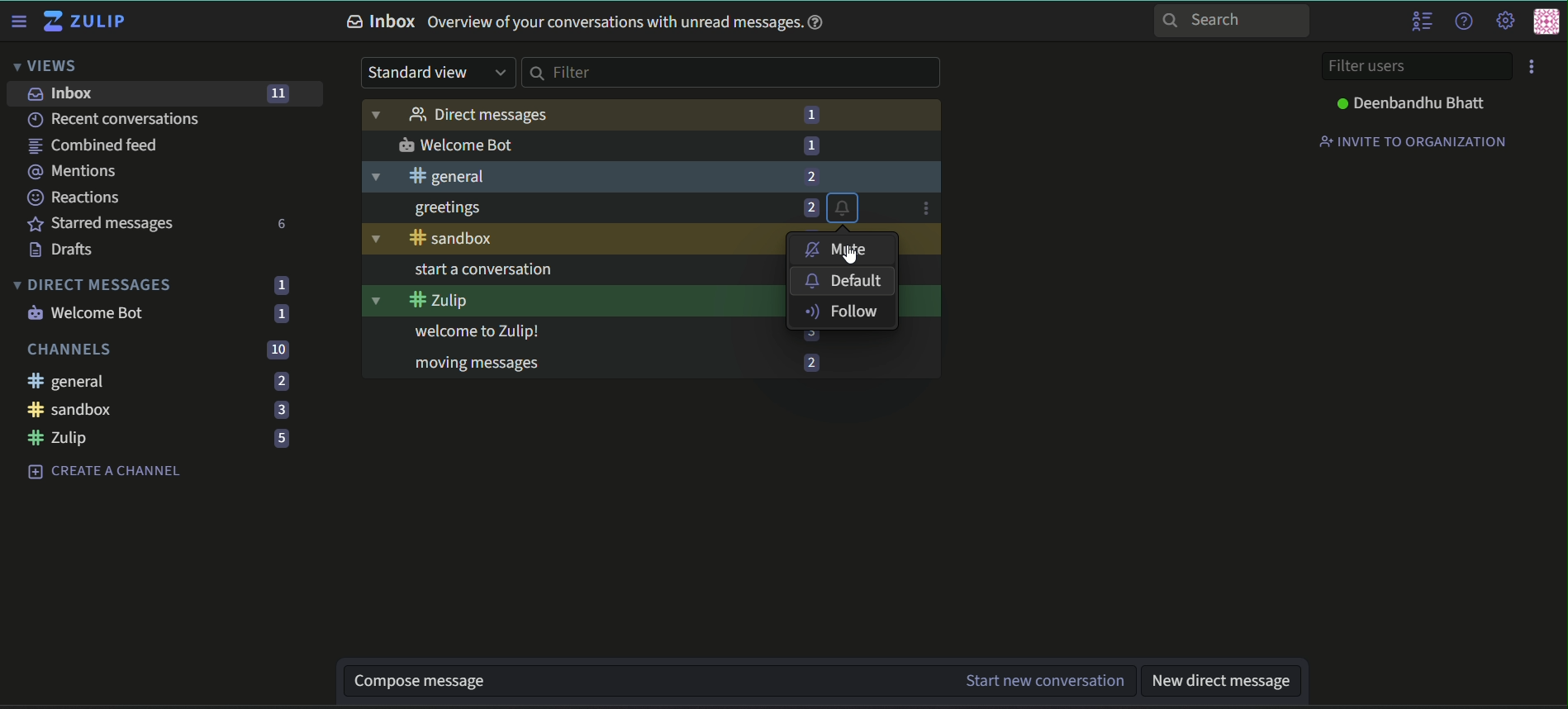 Image resolution: width=1568 pixels, height=709 pixels. I want to click on Sidebar options, so click(19, 20).